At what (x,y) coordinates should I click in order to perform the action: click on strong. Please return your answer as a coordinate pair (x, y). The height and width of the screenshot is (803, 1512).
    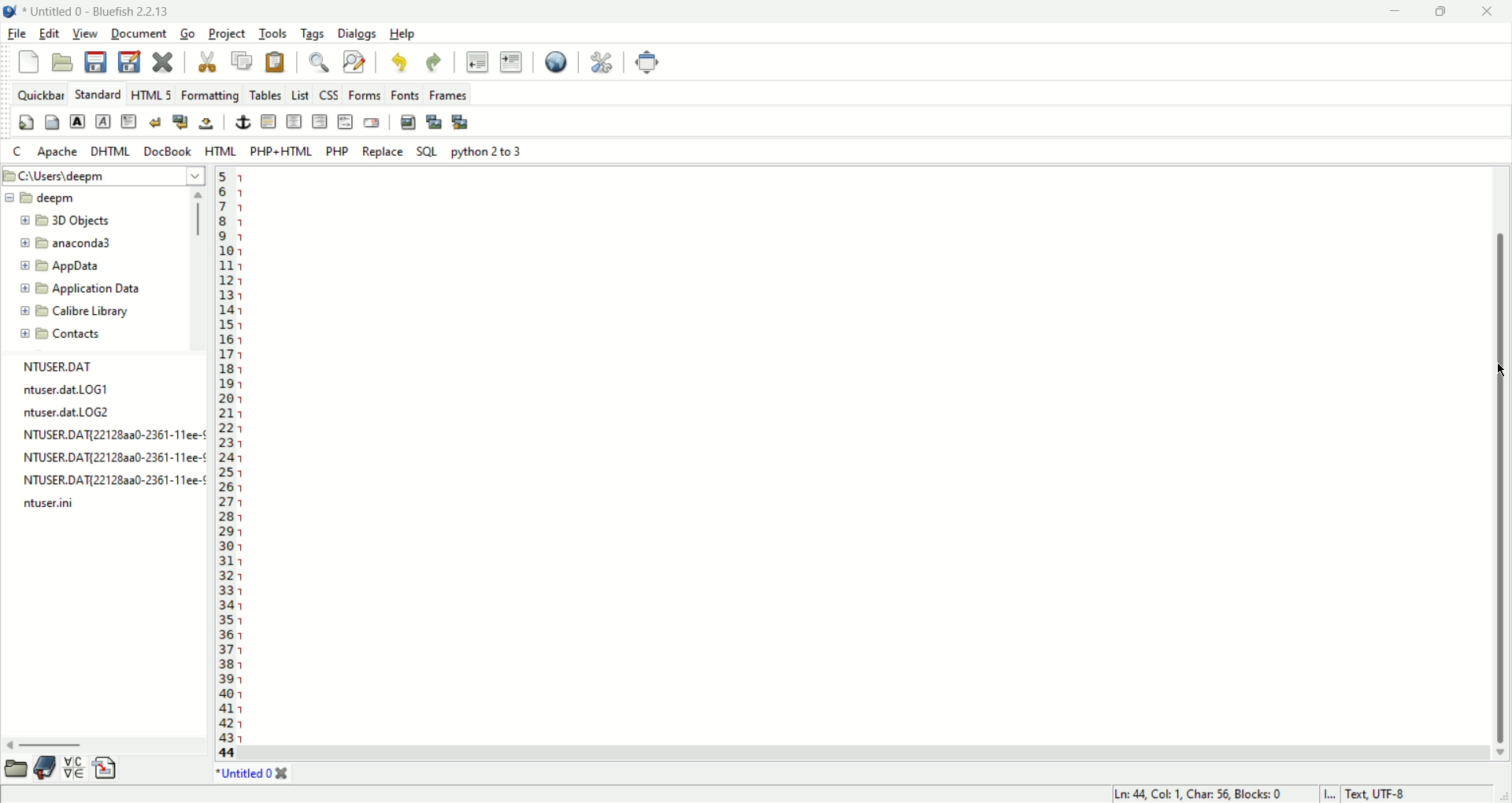
    Looking at the image, I should click on (78, 121).